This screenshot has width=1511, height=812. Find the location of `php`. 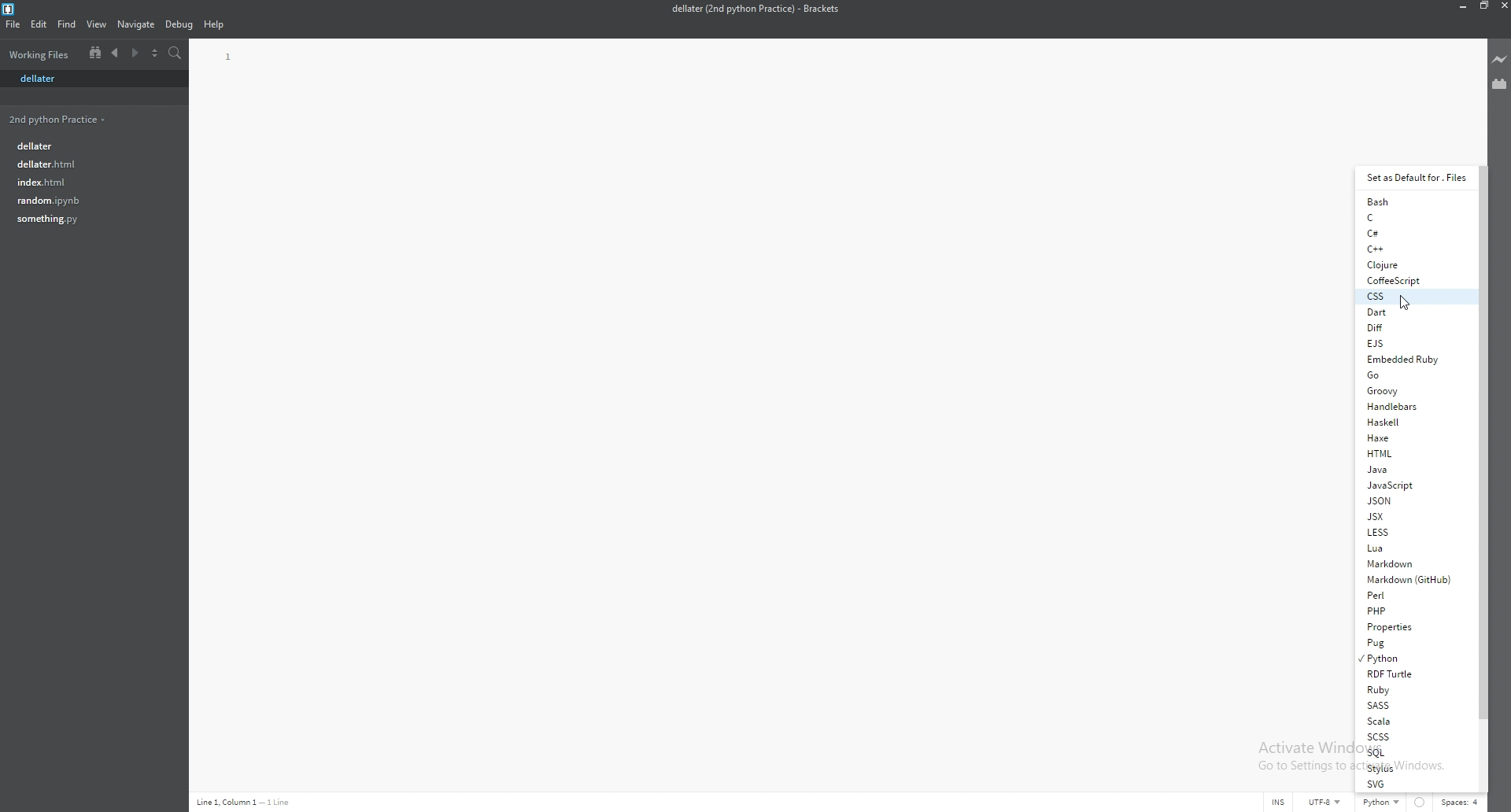

php is located at coordinates (1413, 611).